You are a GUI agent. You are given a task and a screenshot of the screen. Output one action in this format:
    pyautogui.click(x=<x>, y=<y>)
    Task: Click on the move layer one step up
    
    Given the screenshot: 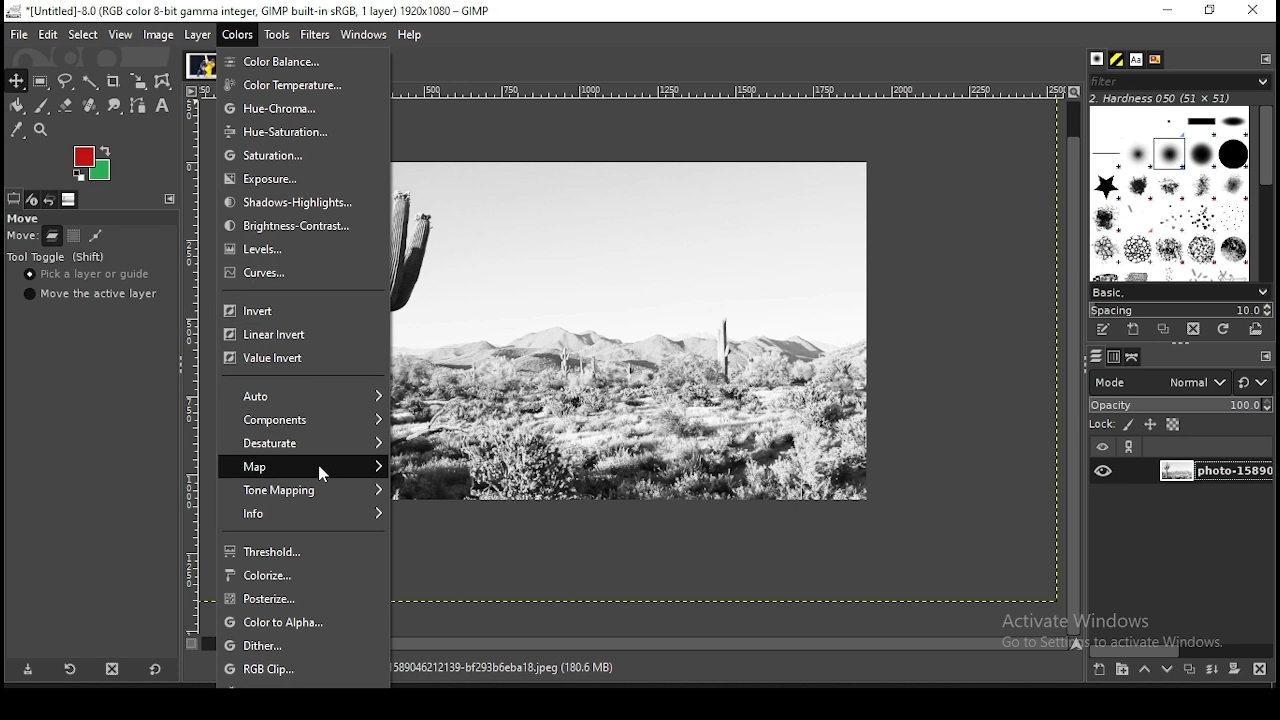 What is the action you would take?
    pyautogui.click(x=1144, y=669)
    